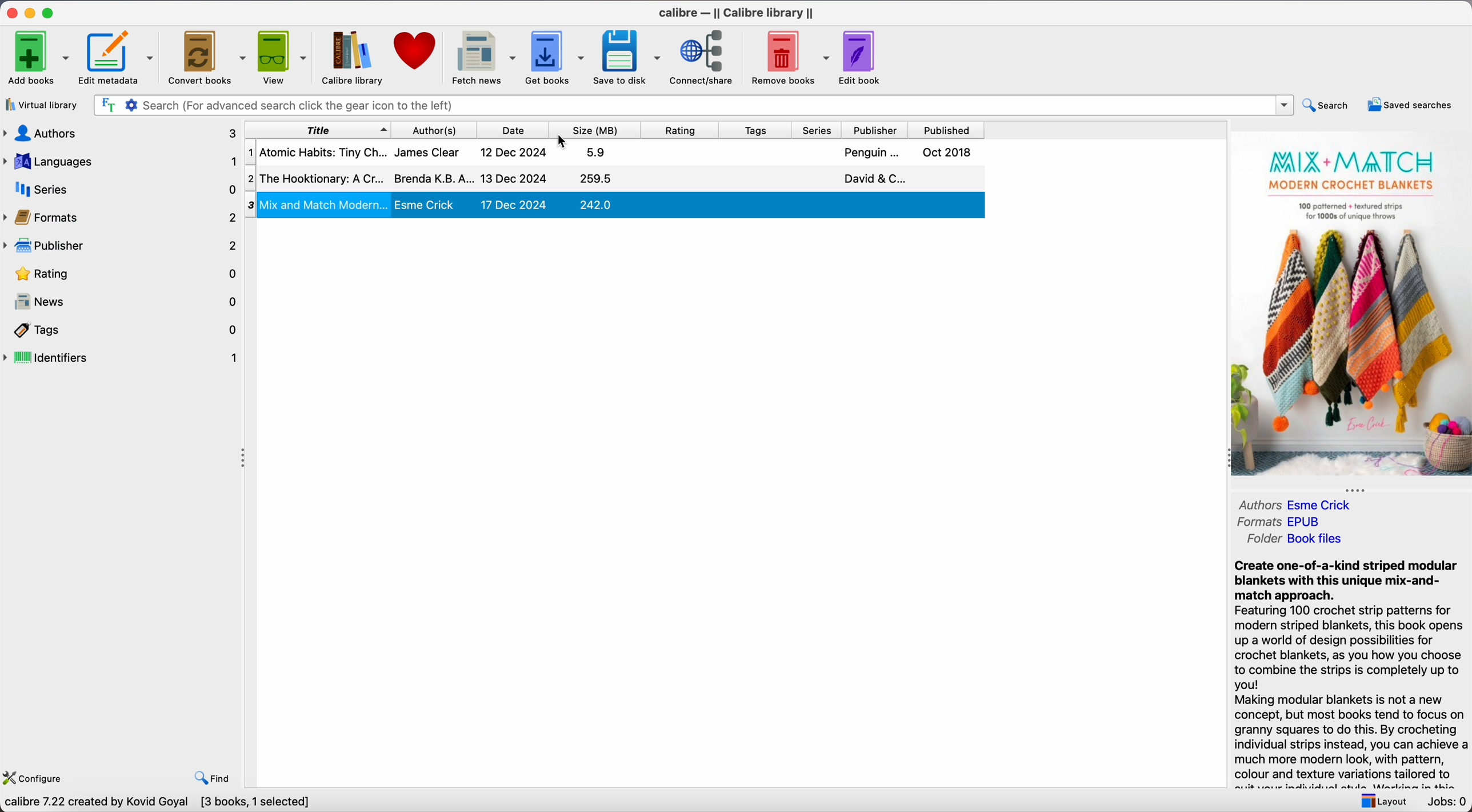 This screenshot has width=1472, height=812. What do you see at coordinates (1409, 104) in the screenshot?
I see `saved searches` at bounding box center [1409, 104].